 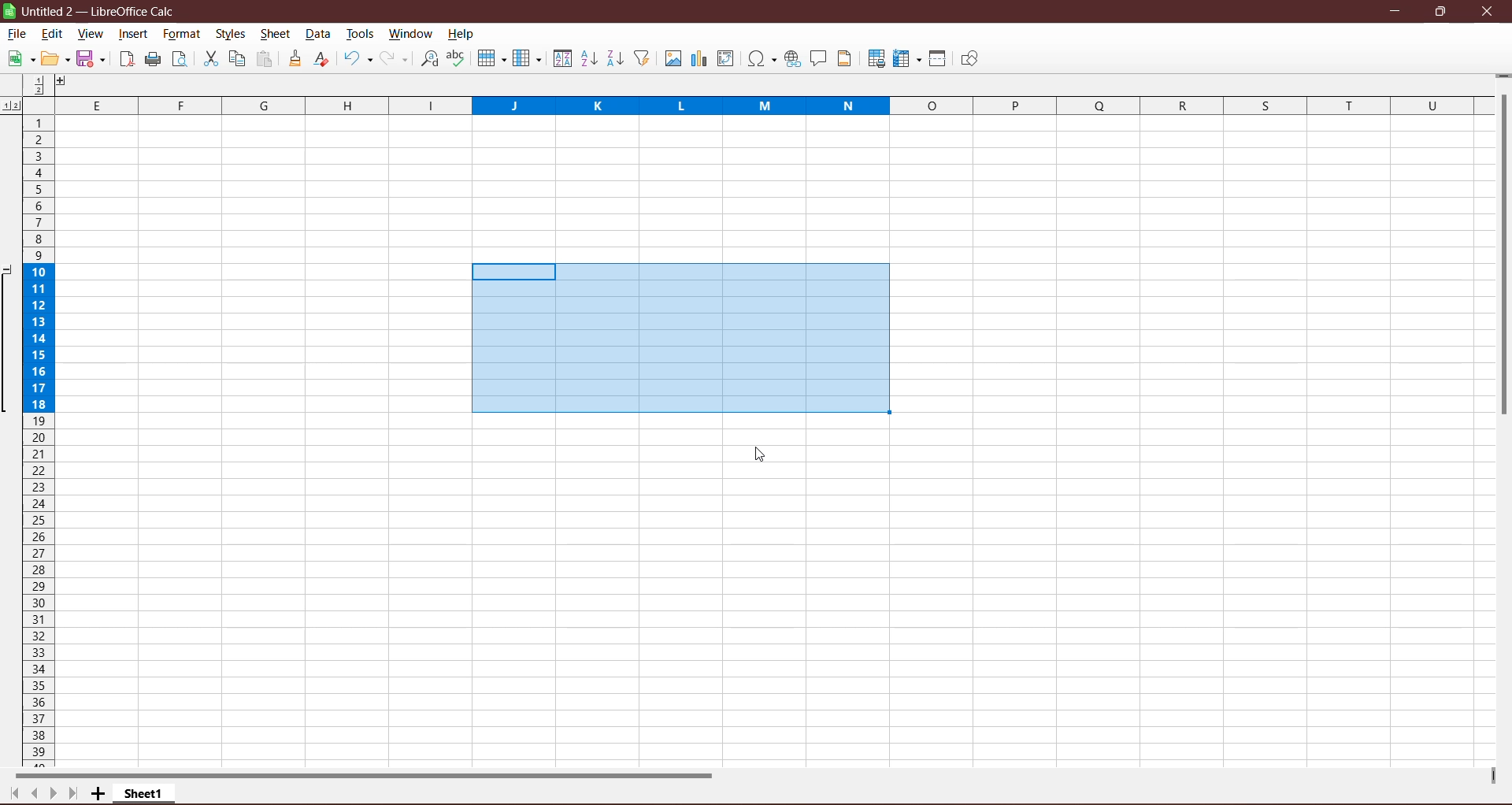 What do you see at coordinates (561, 58) in the screenshot?
I see `Sort` at bounding box center [561, 58].